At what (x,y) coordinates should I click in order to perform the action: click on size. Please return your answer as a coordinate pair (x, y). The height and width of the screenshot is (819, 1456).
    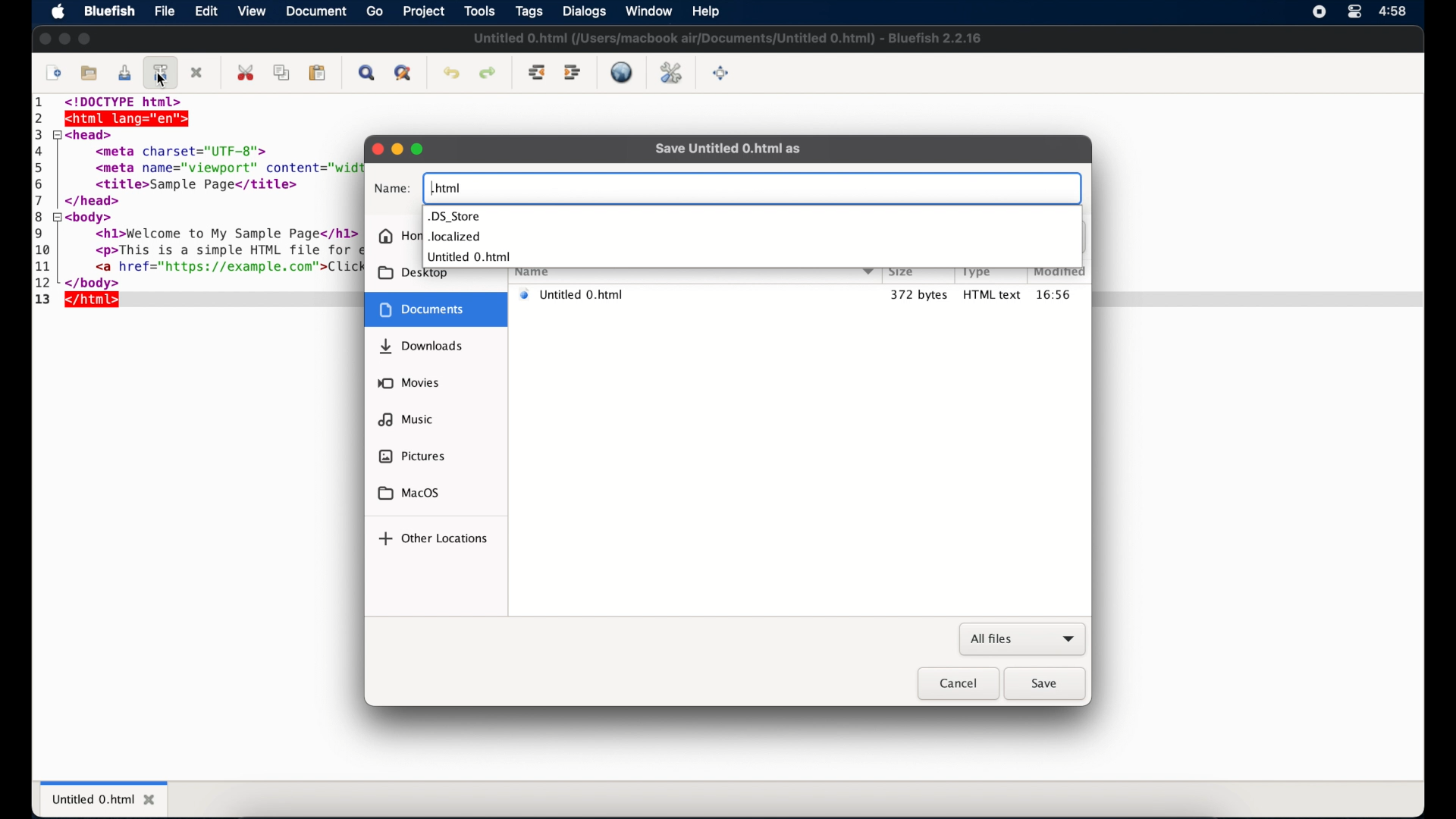
    Looking at the image, I should click on (901, 271).